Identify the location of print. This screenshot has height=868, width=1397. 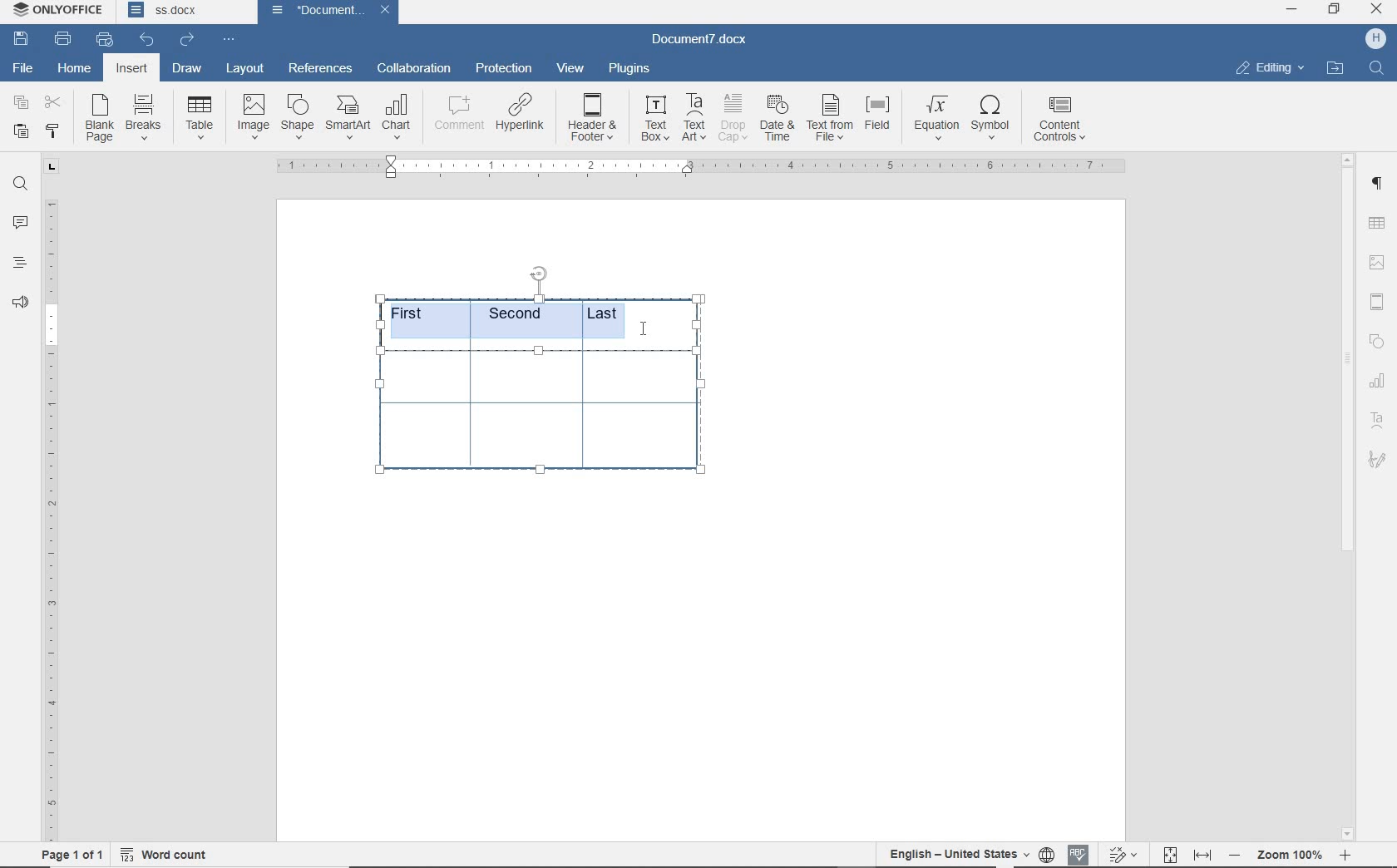
(63, 38).